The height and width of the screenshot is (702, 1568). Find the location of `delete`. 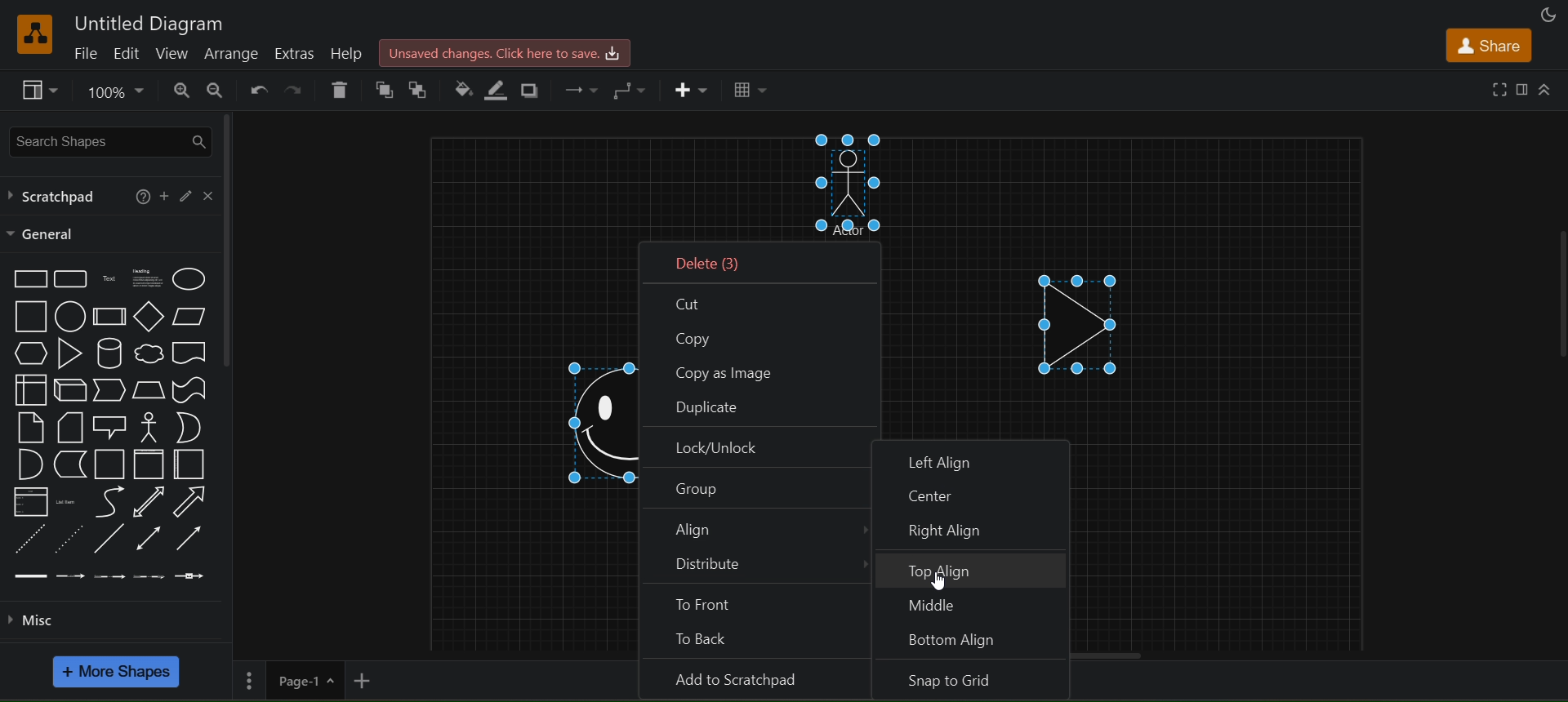

delete is located at coordinates (340, 89).